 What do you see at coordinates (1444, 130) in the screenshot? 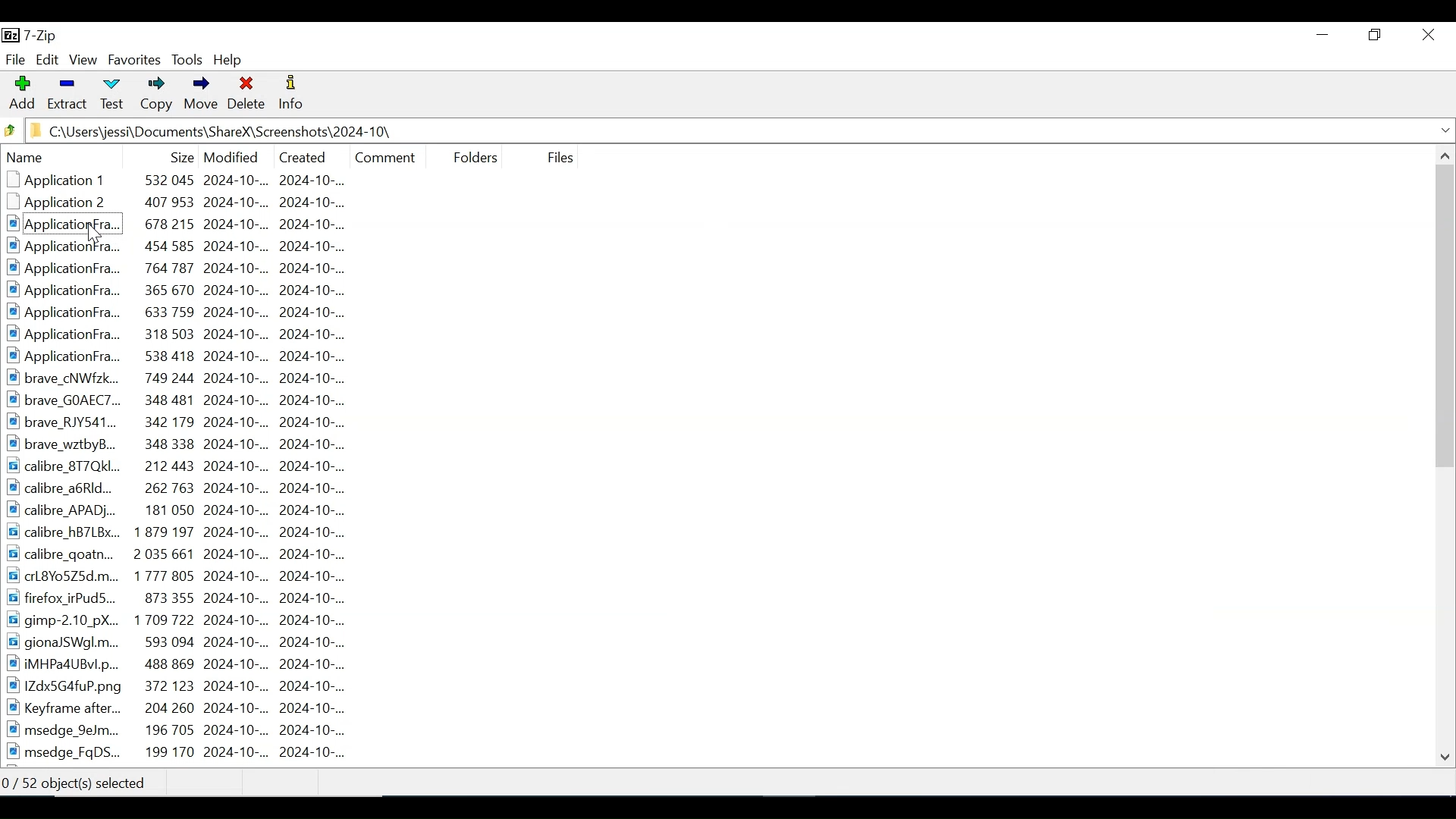
I see `Expand` at bounding box center [1444, 130].